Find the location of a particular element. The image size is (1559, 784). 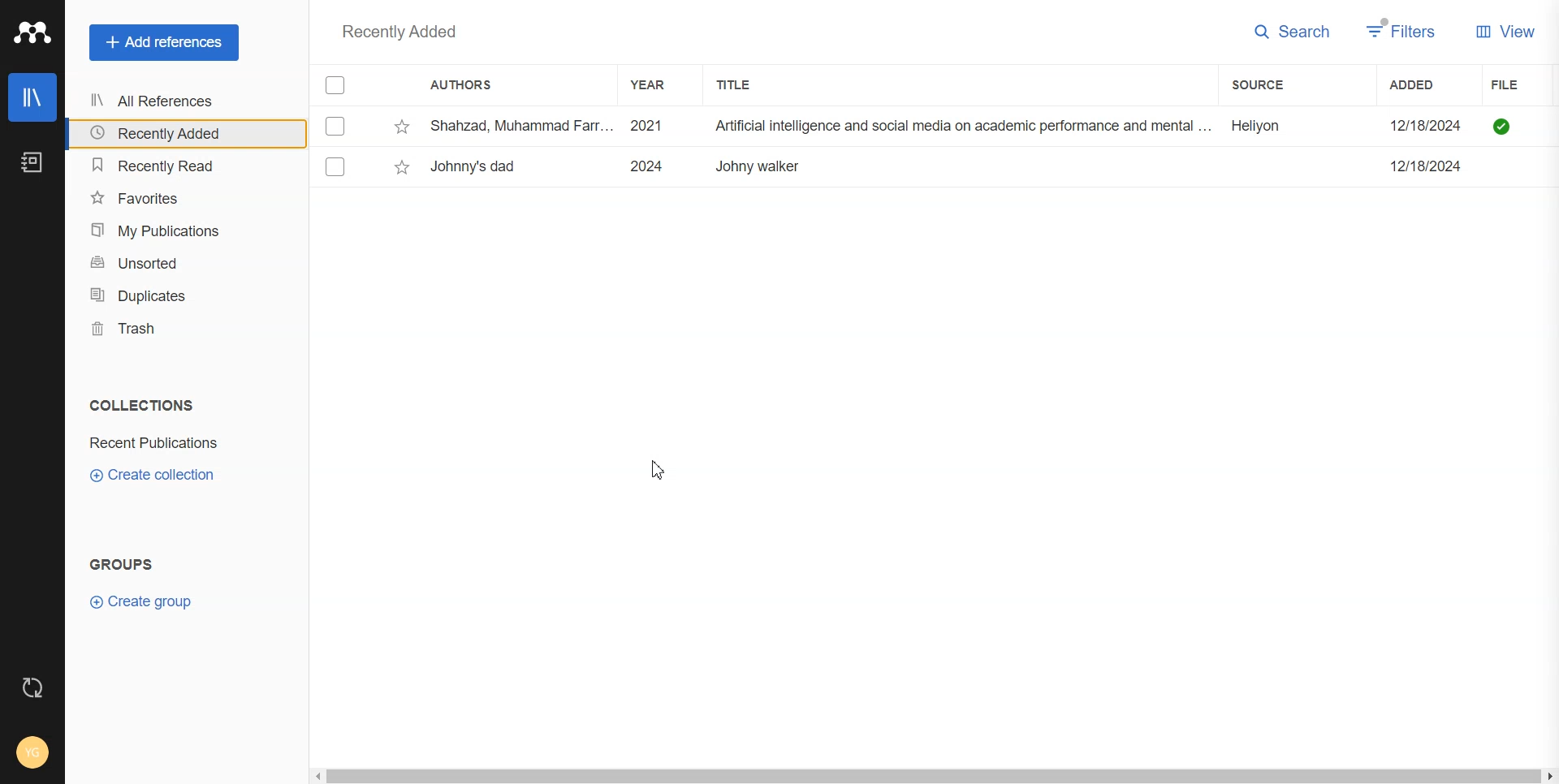

Duplicates is located at coordinates (181, 295).